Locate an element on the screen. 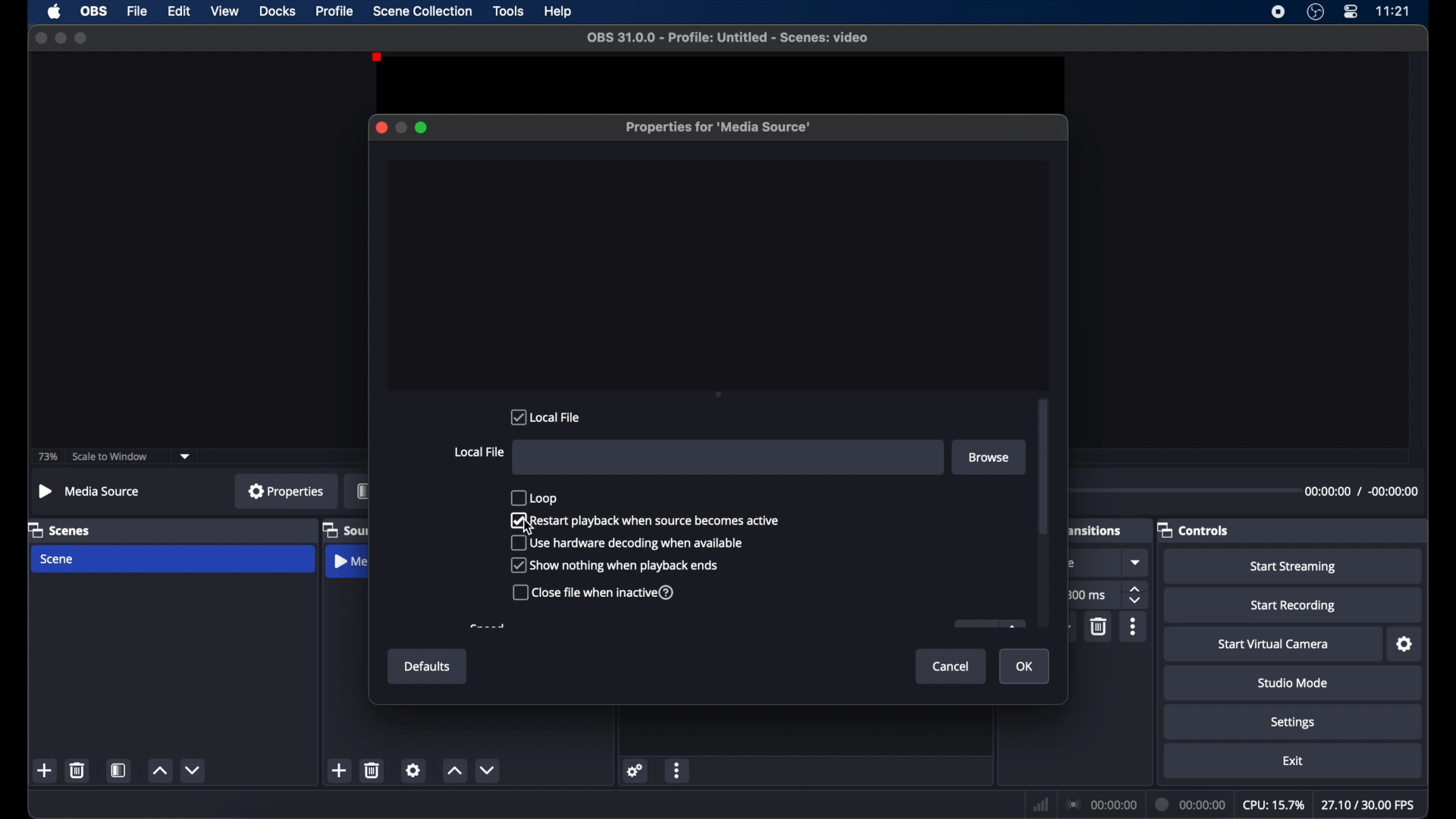  increment is located at coordinates (454, 771).